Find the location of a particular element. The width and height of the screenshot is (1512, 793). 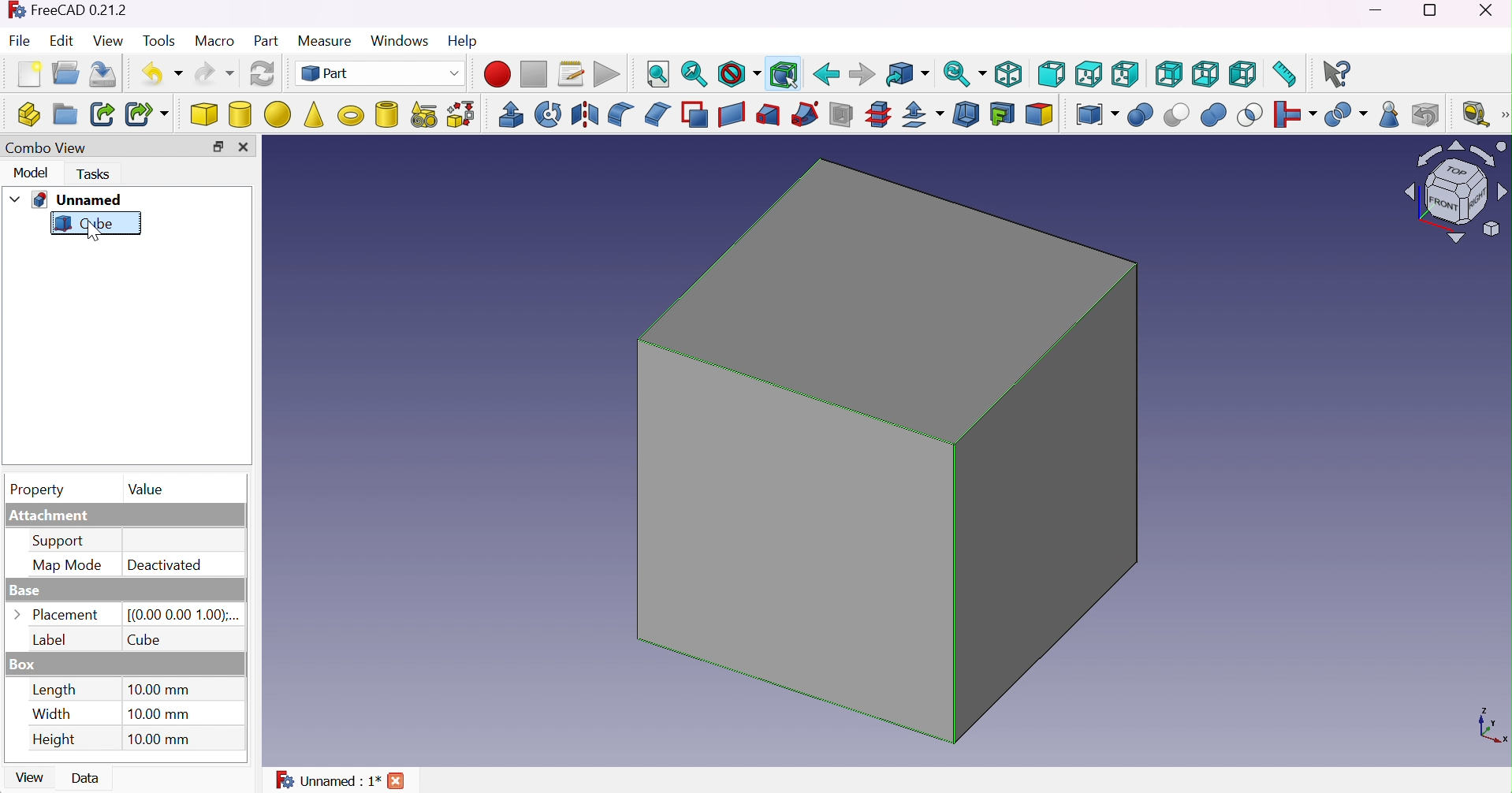

Split objects is located at coordinates (1344, 116).